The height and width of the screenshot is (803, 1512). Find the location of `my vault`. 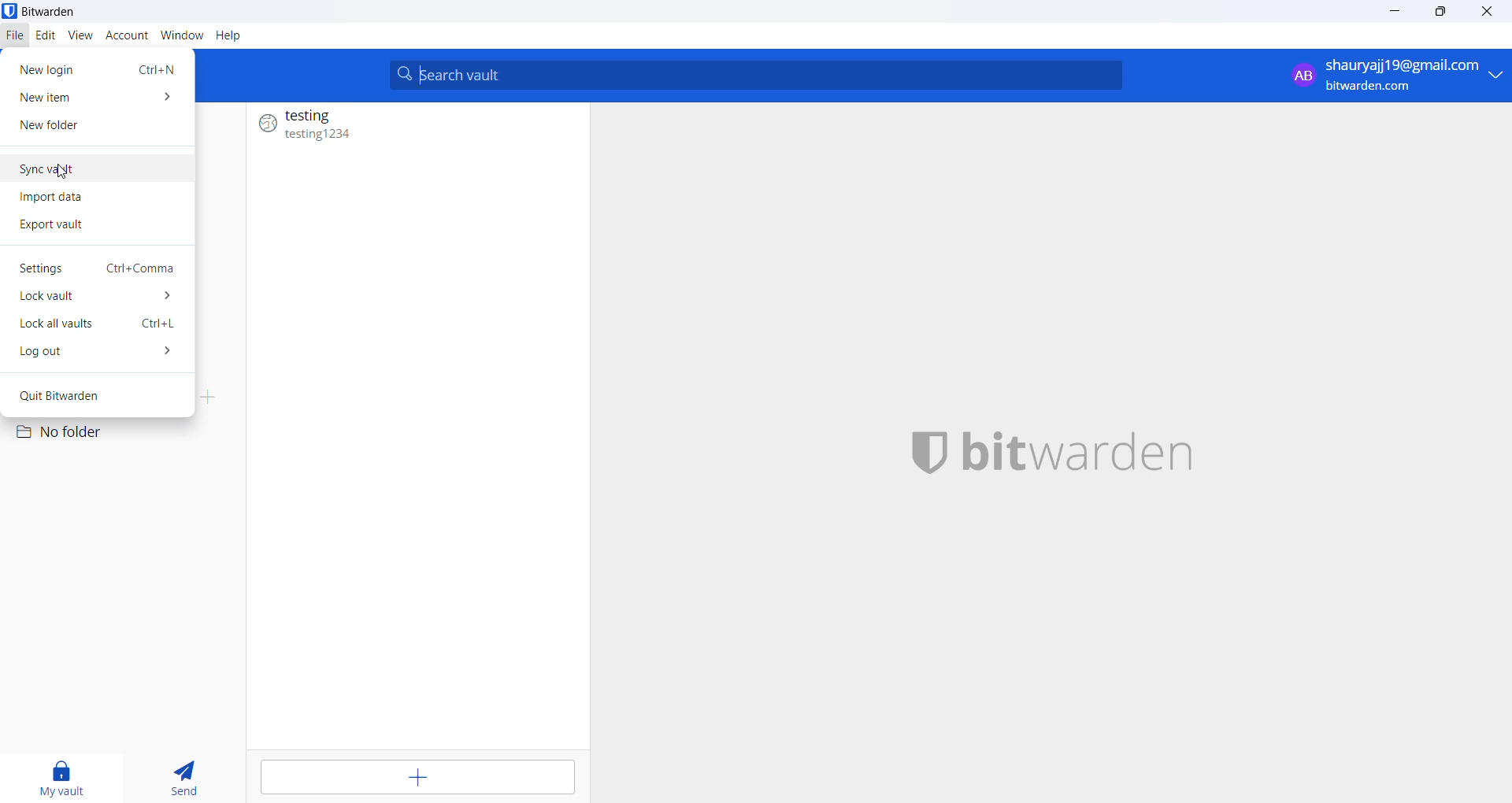

my vault is located at coordinates (57, 779).